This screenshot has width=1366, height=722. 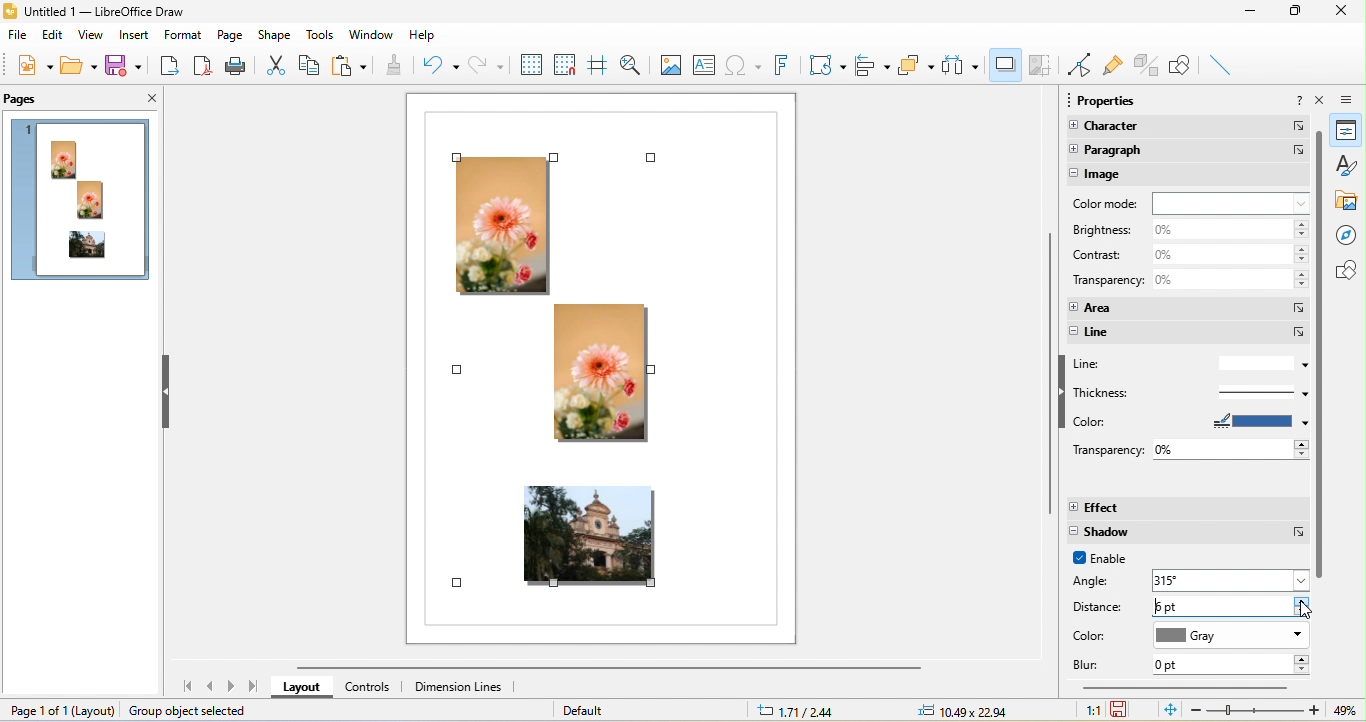 What do you see at coordinates (237, 67) in the screenshot?
I see `print` at bounding box center [237, 67].